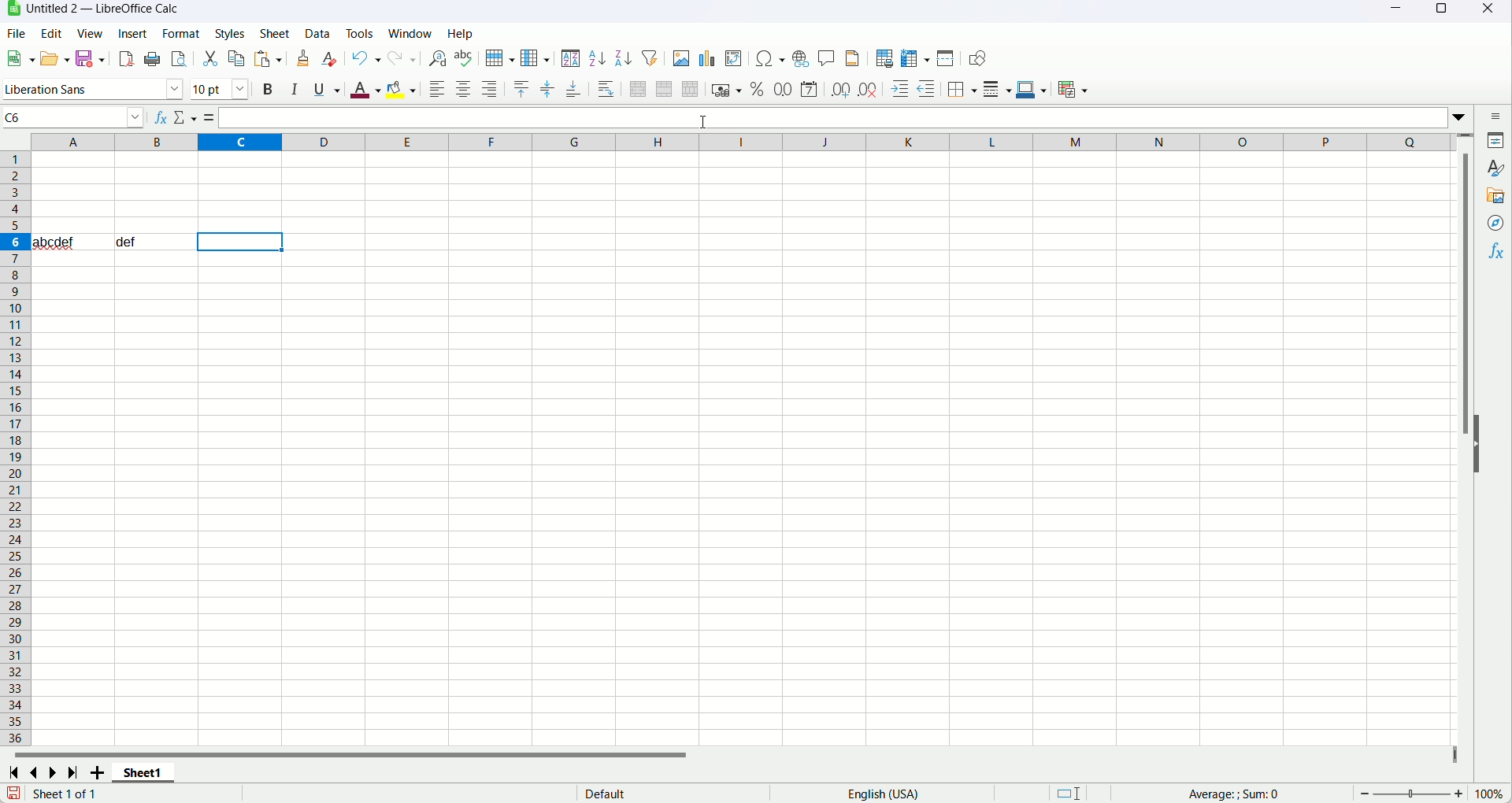  Describe the element at coordinates (14, 793) in the screenshot. I see `save` at that location.